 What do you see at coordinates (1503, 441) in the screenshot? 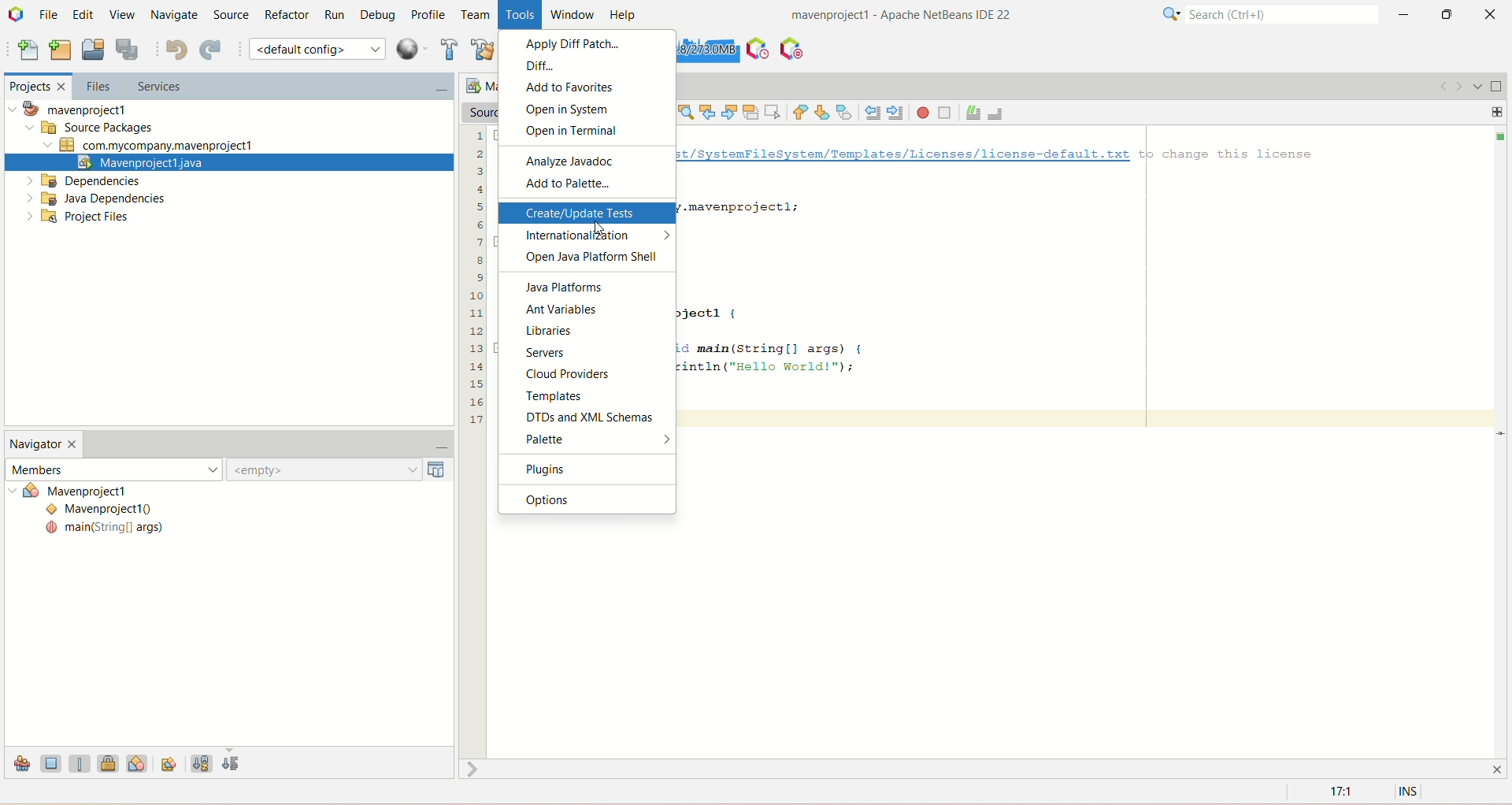
I see `Scrollbar` at bounding box center [1503, 441].